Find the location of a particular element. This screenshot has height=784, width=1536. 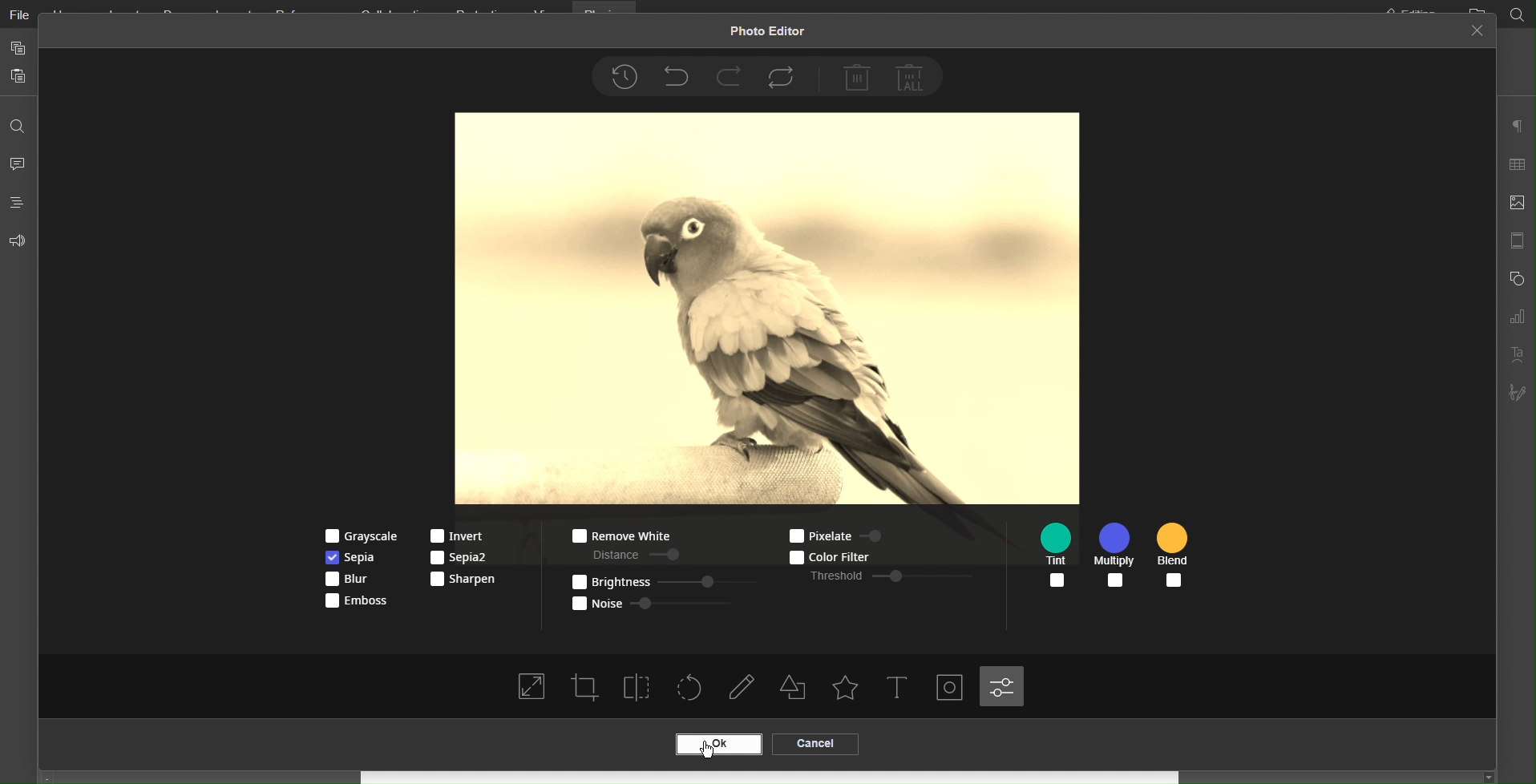

Sepia is located at coordinates (355, 557).